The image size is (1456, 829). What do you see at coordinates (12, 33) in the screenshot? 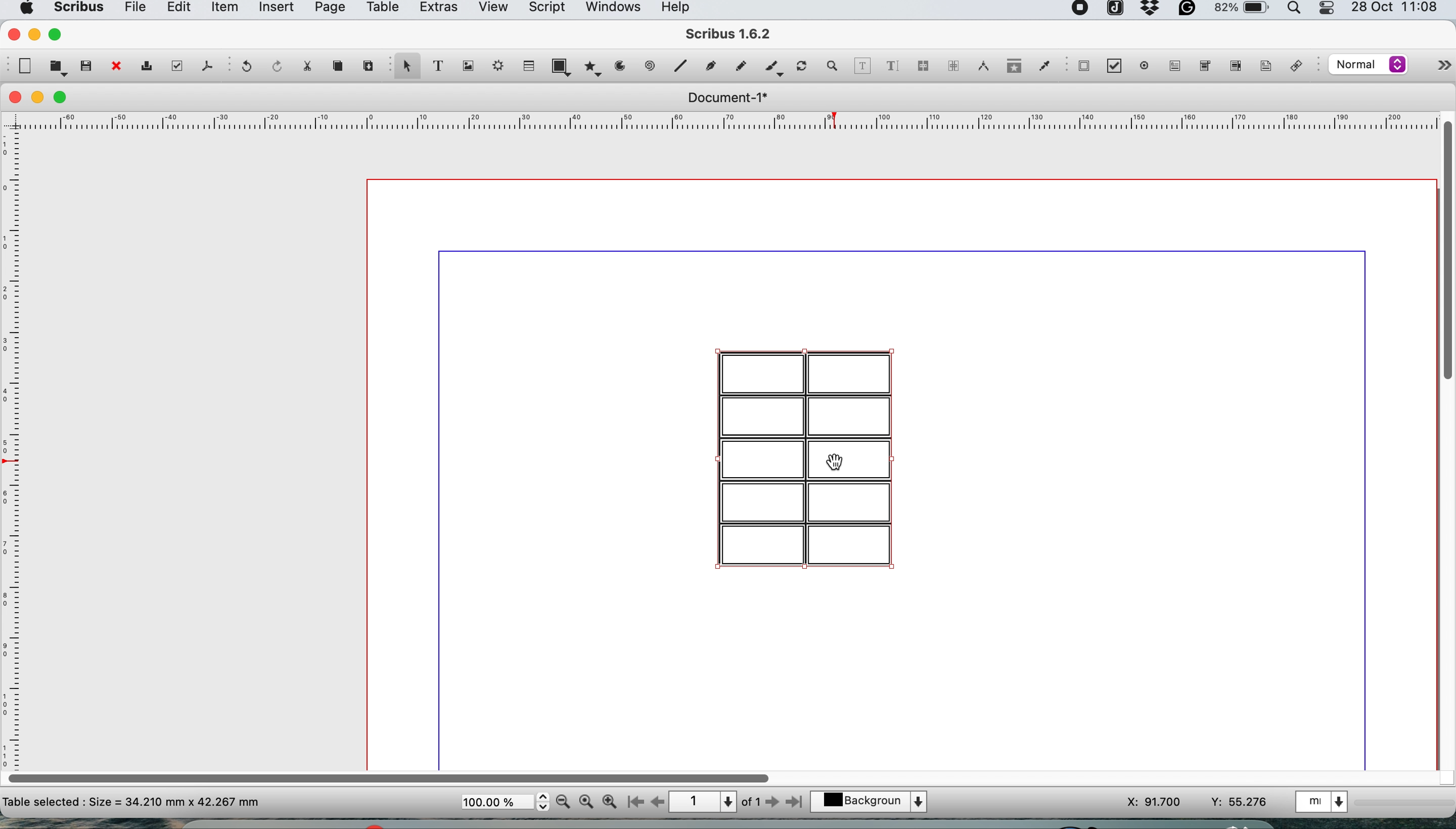
I see `close` at bounding box center [12, 33].